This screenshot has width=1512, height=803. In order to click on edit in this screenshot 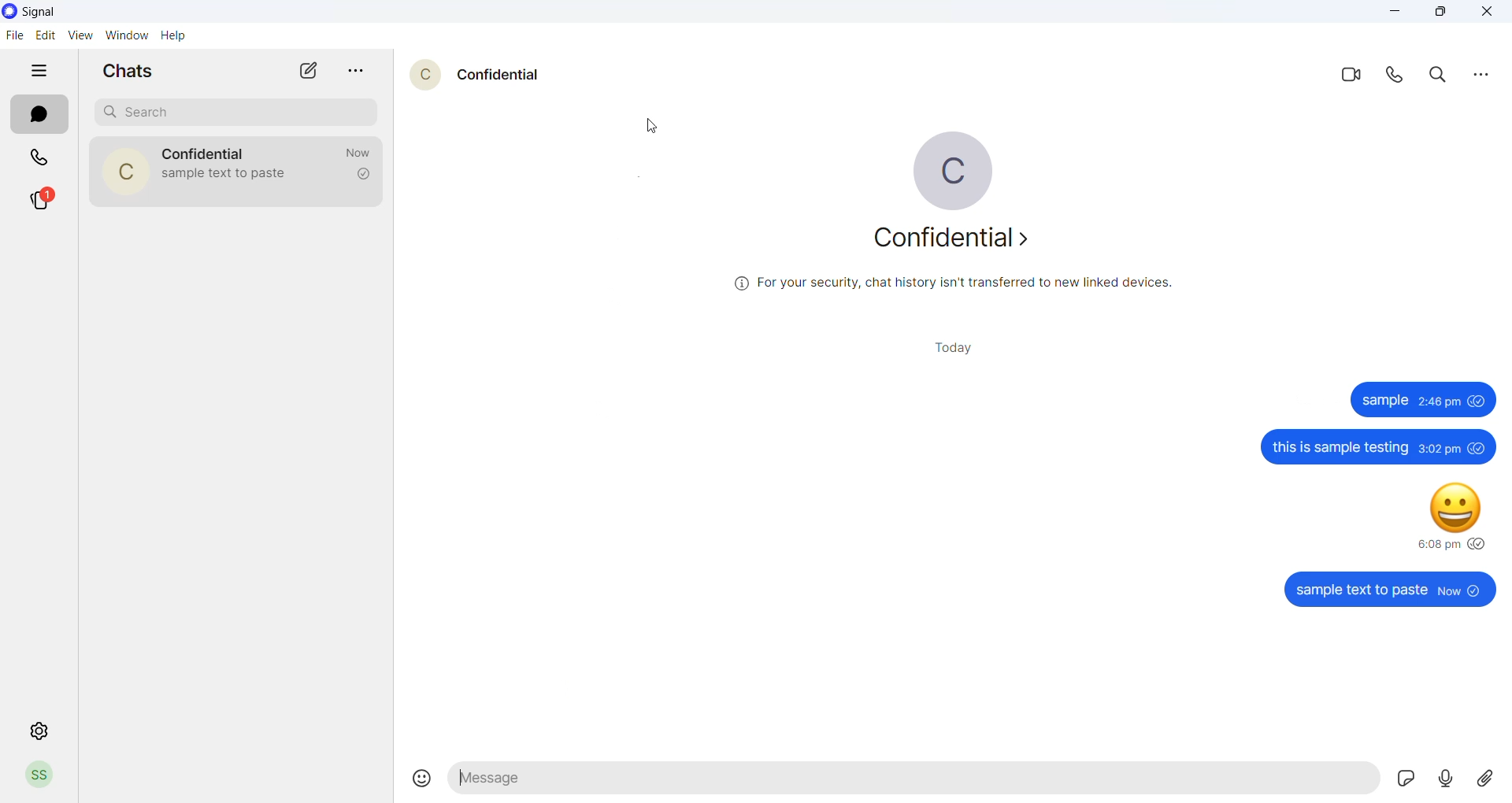, I will do `click(46, 35)`.